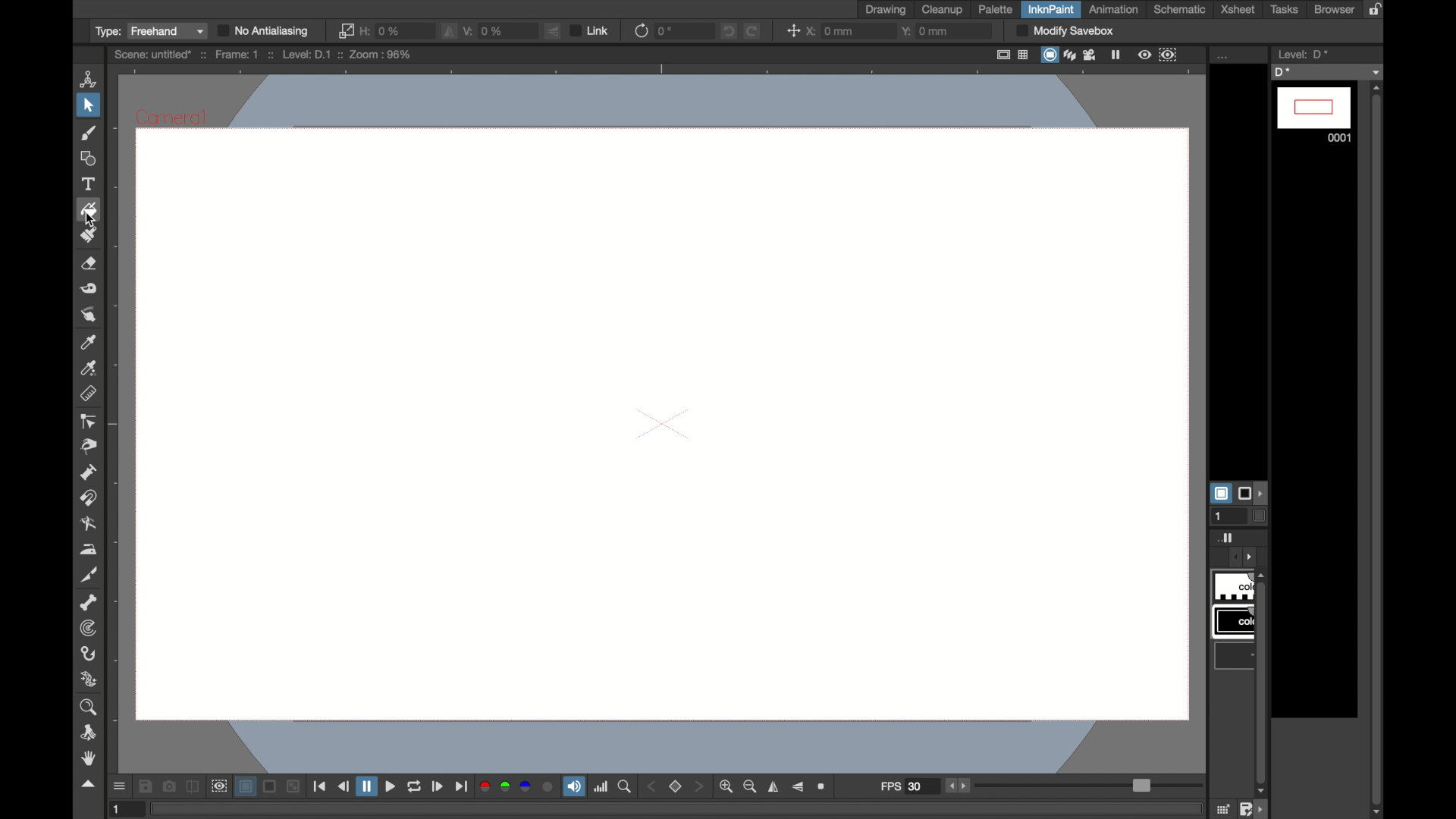 Image resolution: width=1456 pixels, height=819 pixels. What do you see at coordinates (1179, 10) in the screenshot?
I see `schematic` at bounding box center [1179, 10].